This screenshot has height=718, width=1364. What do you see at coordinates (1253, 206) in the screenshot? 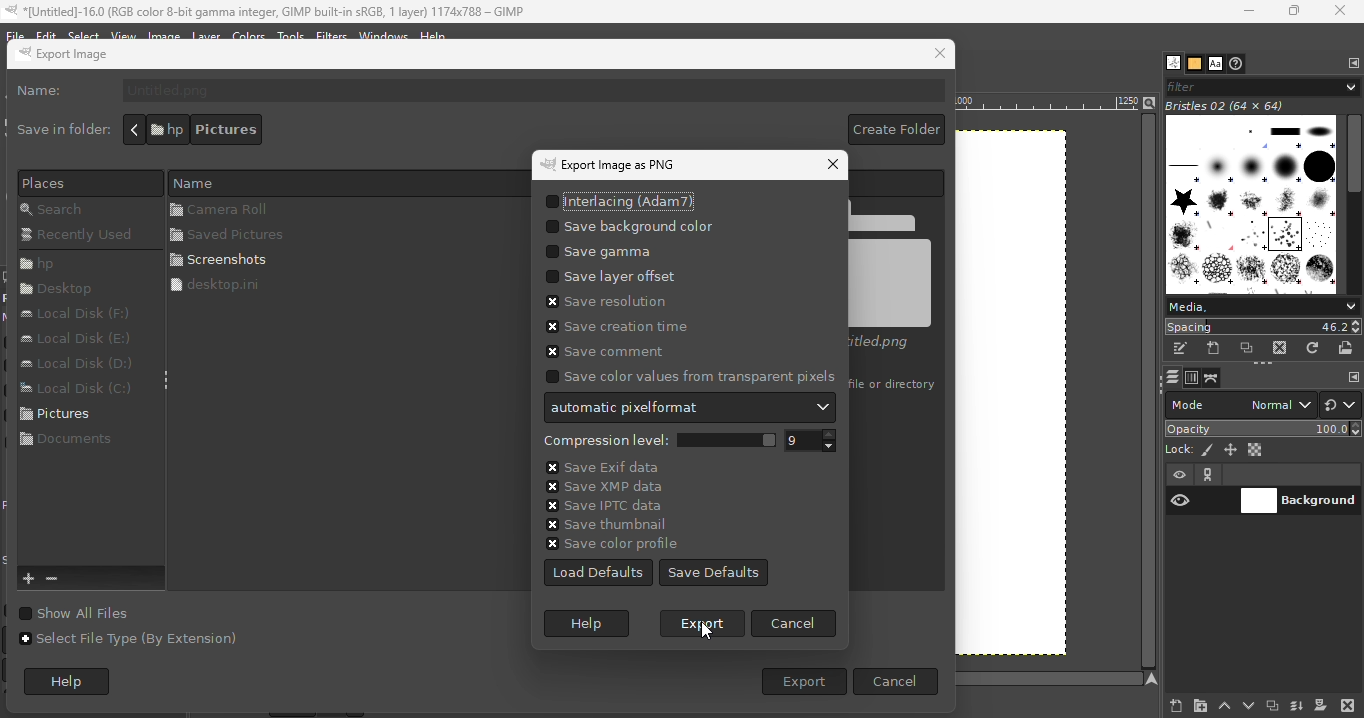
I see `Image tags` at bounding box center [1253, 206].